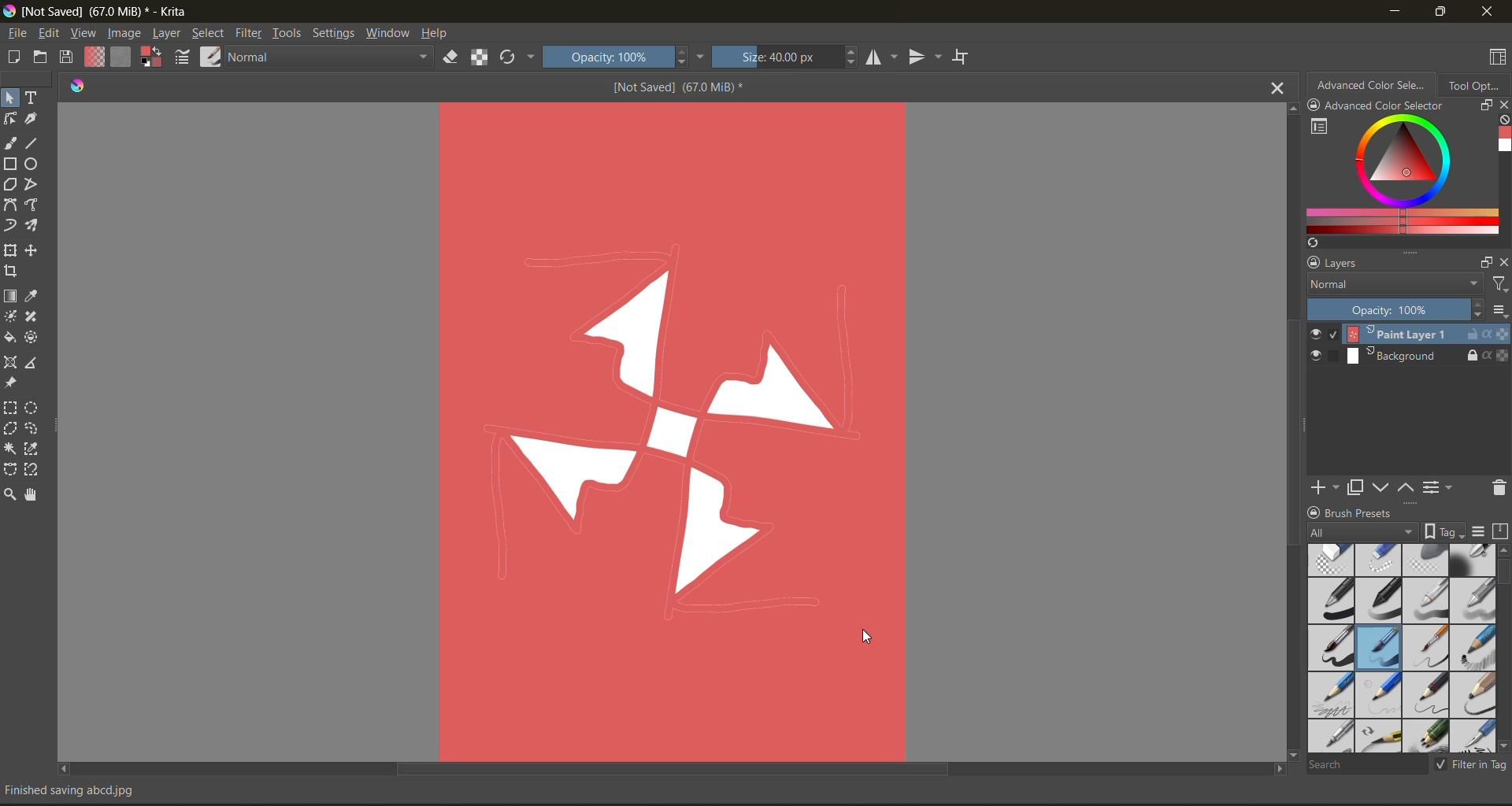 The width and height of the screenshot is (1512, 806). What do you see at coordinates (86, 790) in the screenshot?
I see `save status` at bounding box center [86, 790].